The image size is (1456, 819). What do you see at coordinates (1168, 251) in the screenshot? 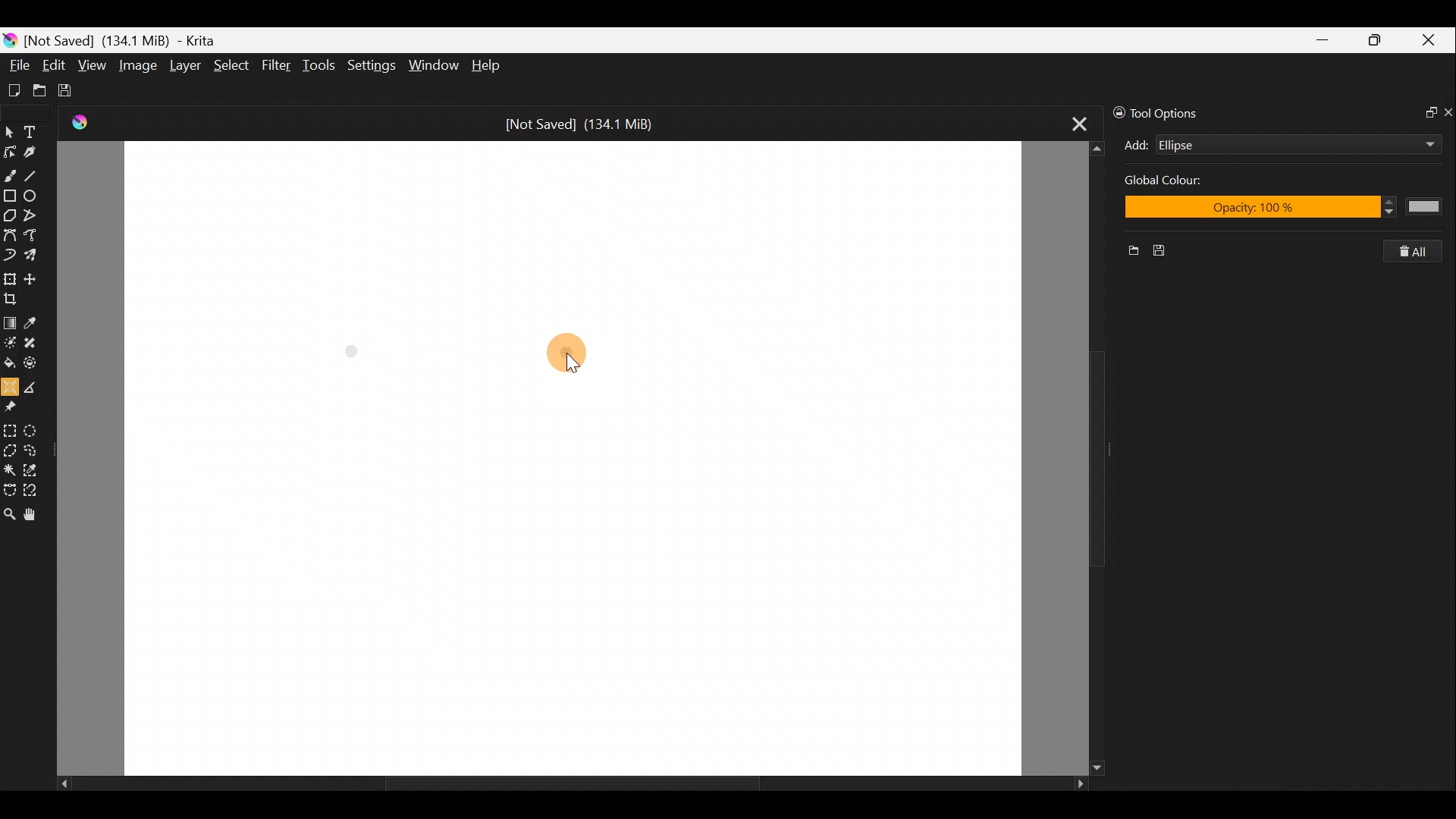
I see `Save` at bounding box center [1168, 251].